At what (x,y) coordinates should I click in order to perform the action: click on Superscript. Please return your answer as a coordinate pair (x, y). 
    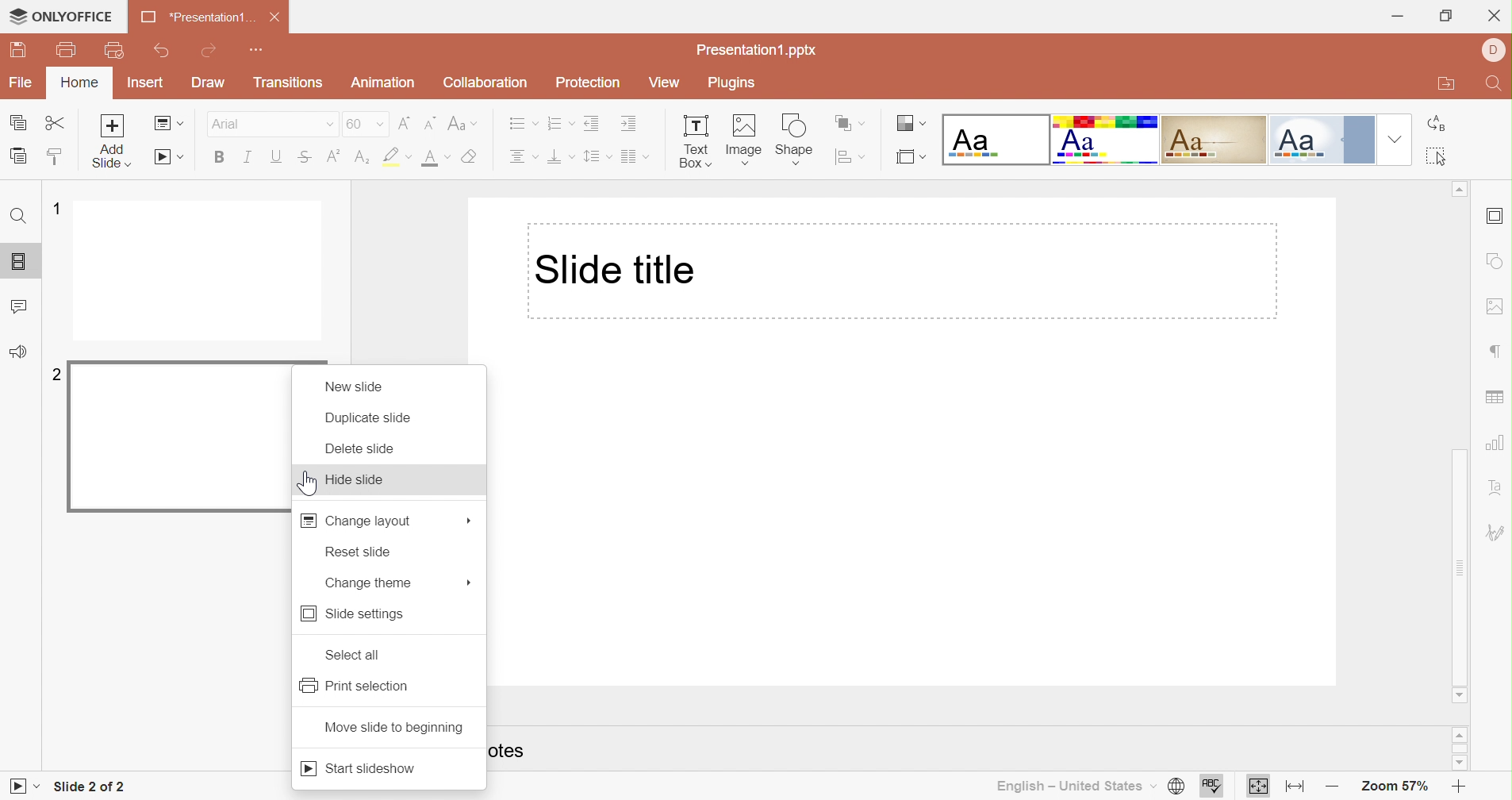
    Looking at the image, I should click on (333, 155).